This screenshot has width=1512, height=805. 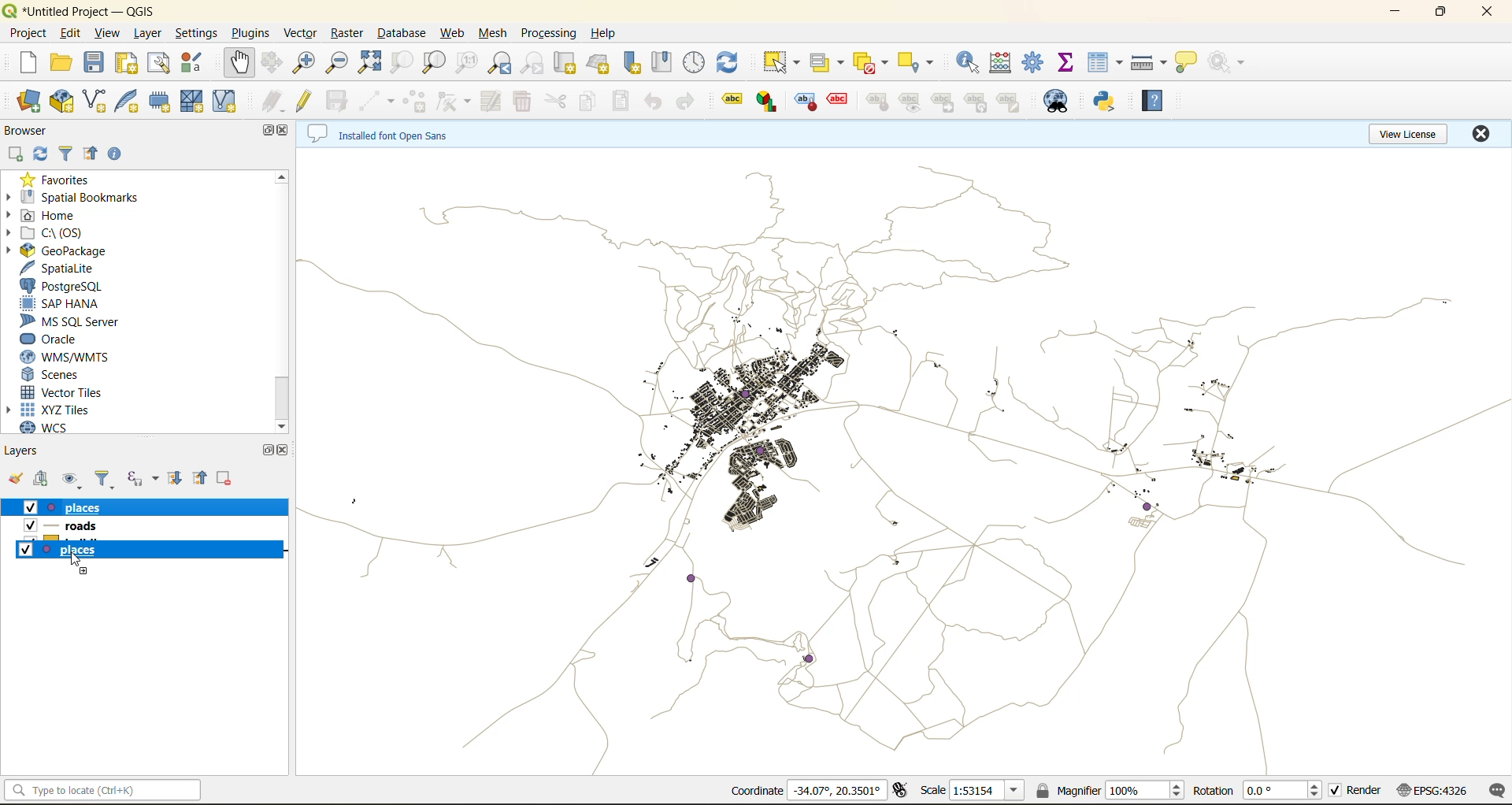 I want to click on oracle, so click(x=61, y=339).